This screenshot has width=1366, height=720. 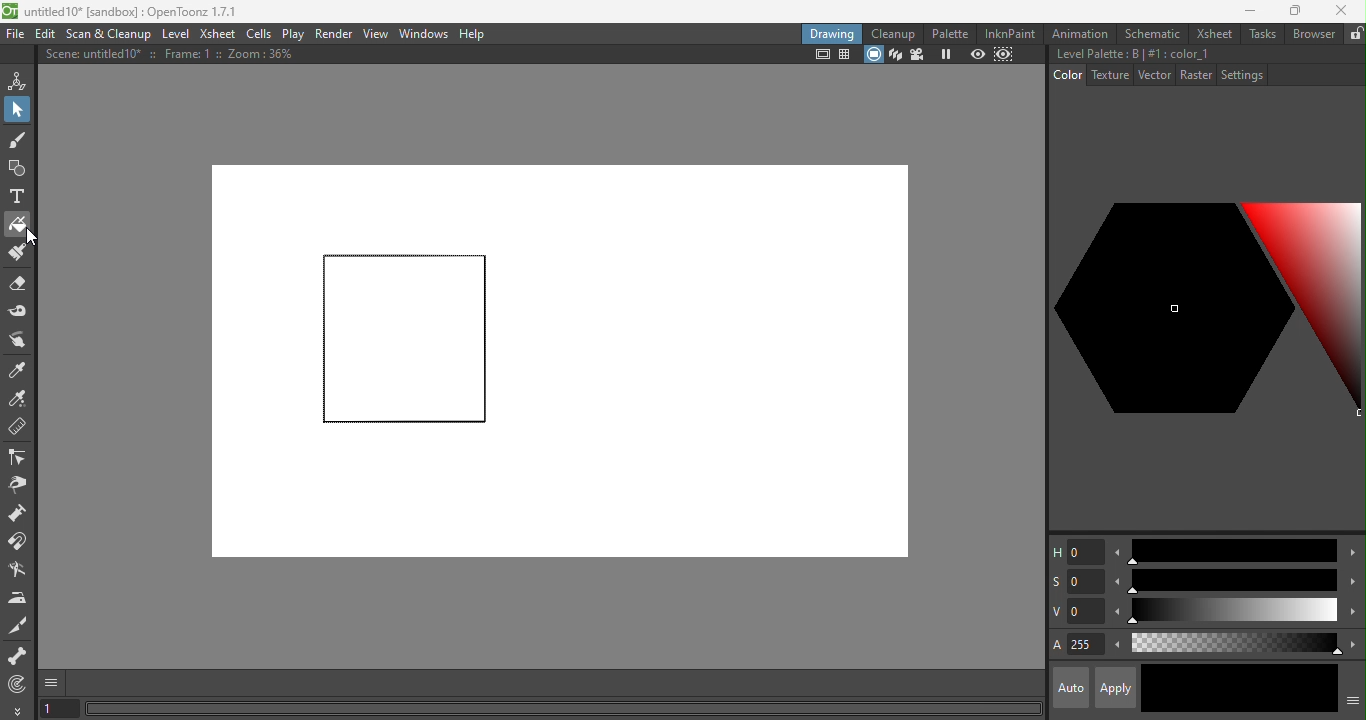 What do you see at coordinates (820, 55) in the screenshot?
I see `Safe area` at bounding box center [820, 55].